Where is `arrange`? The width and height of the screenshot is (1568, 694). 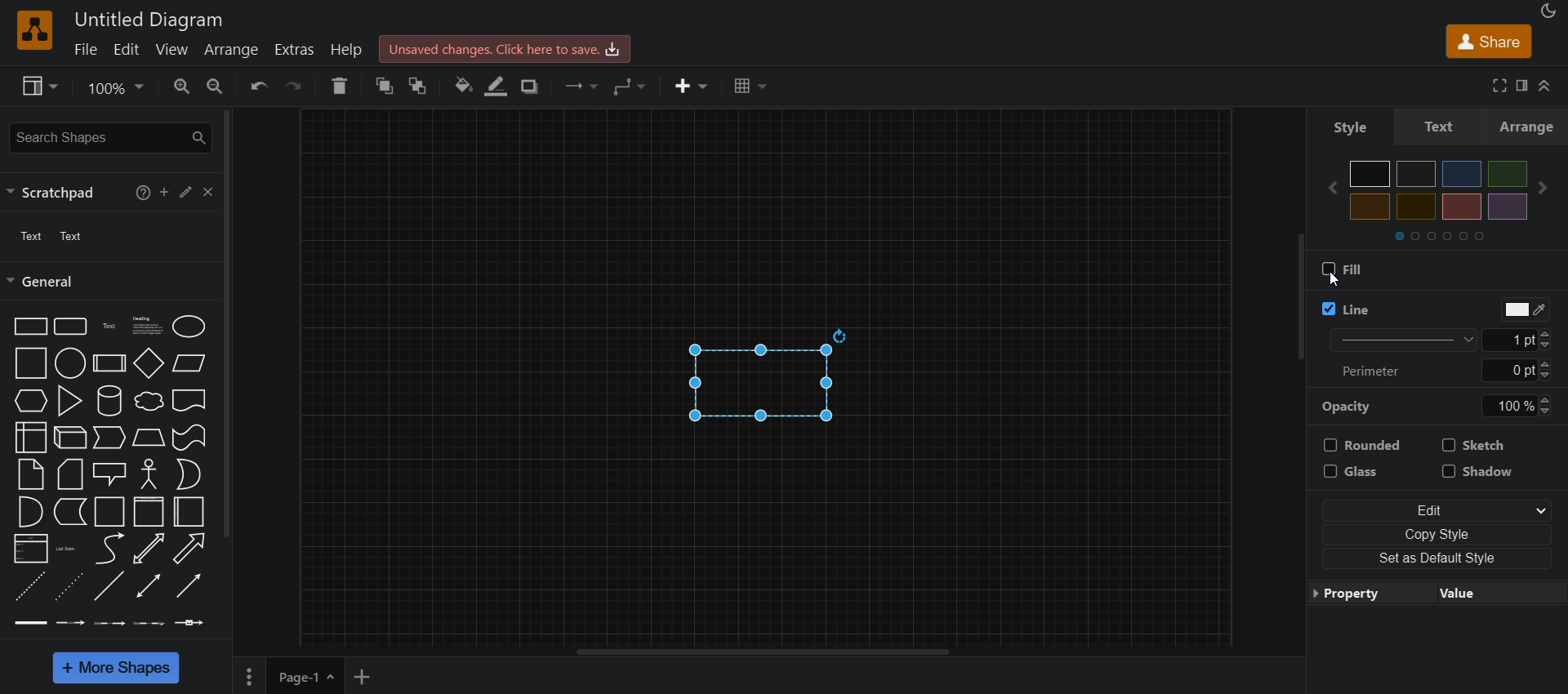 arrange is located at coordinates (1528, 128).